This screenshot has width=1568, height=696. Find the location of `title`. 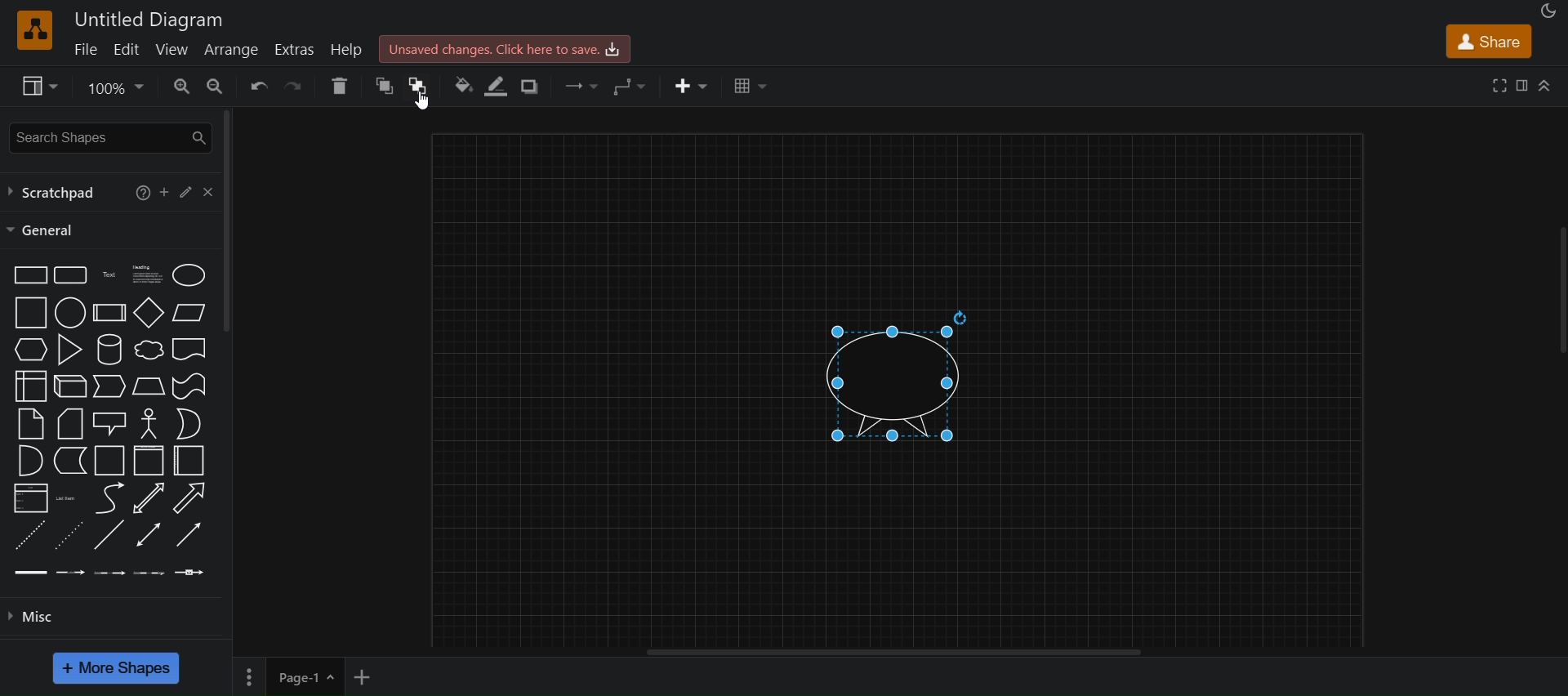

title is located at coordinates (149, 20).